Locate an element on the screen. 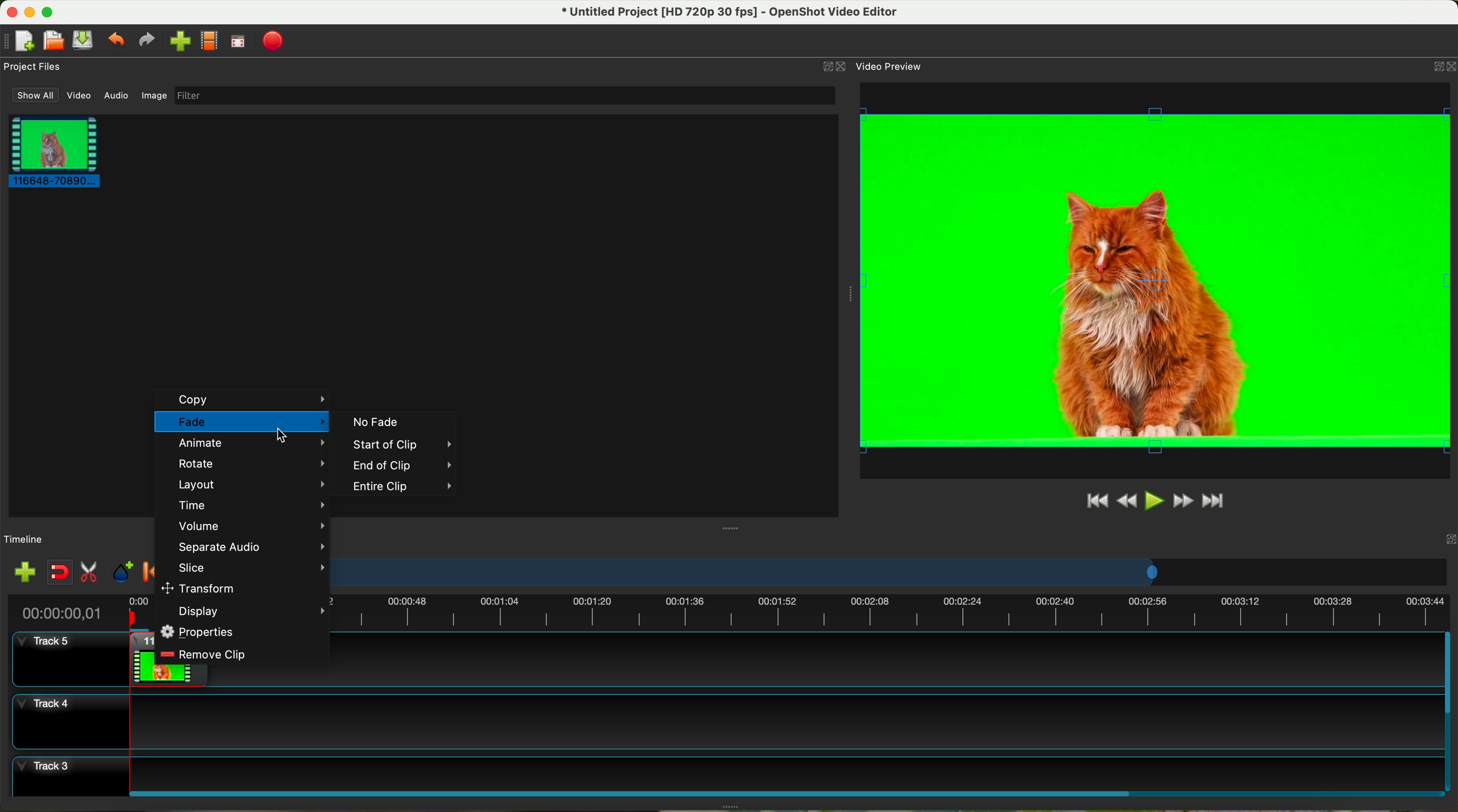 This screenshot has height=812, width=1458. close is located at coordinates (1442, 68).